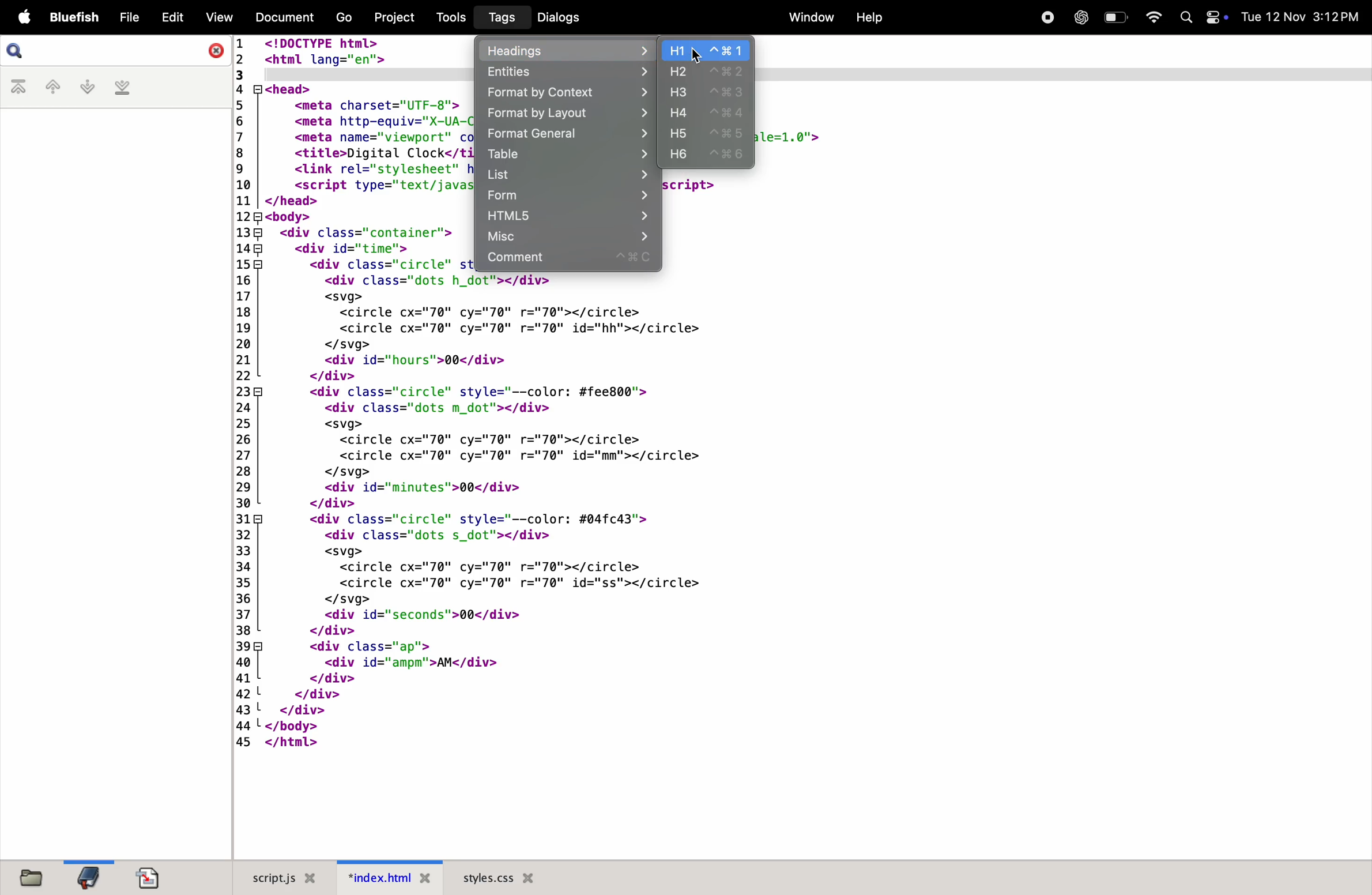  Describe the element at coordinates (385, 877) in the screenshot. I see `*index.html` at that location.